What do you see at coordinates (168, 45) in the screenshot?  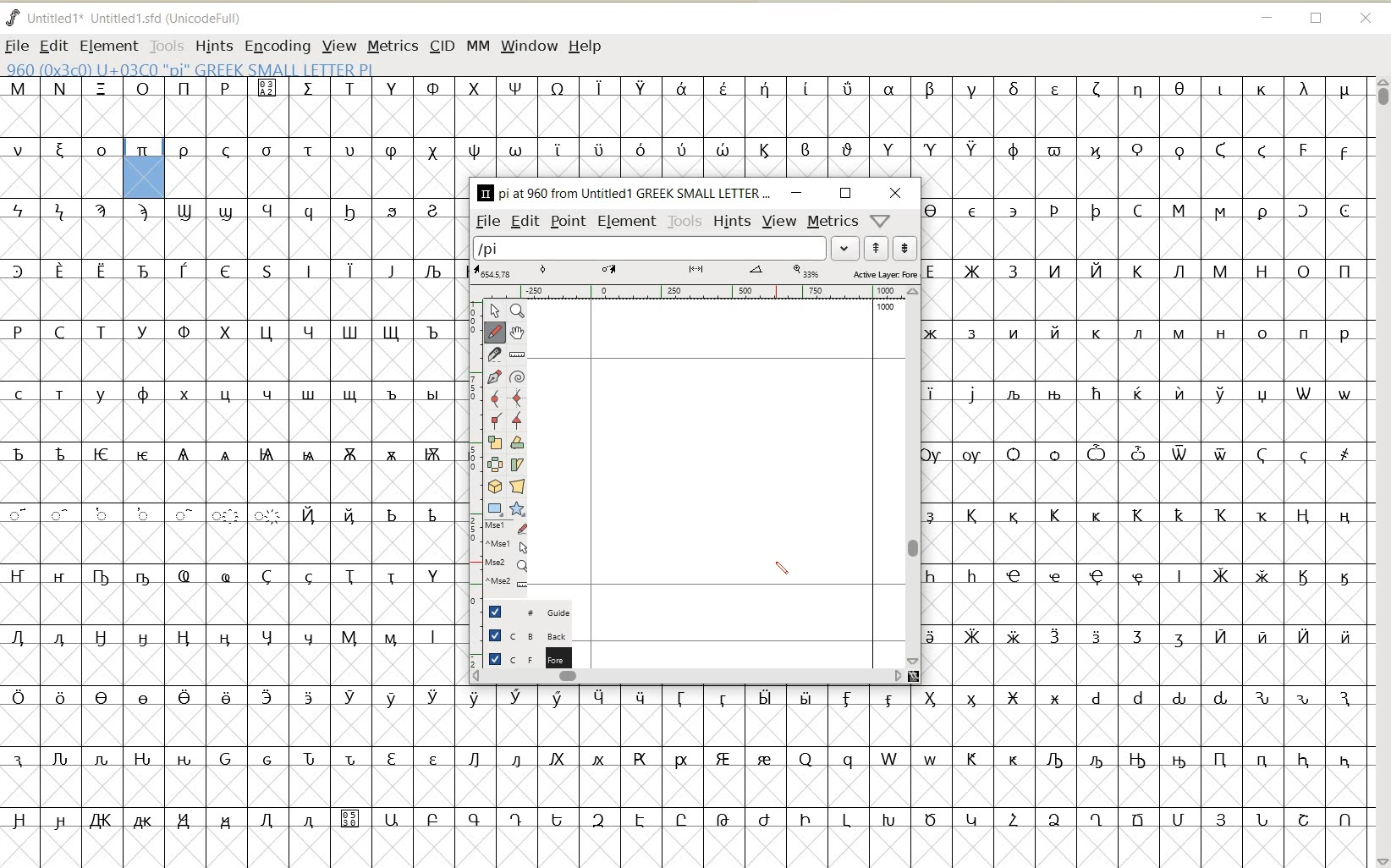 I see `TOOLS` at bounding box center [168, 45].